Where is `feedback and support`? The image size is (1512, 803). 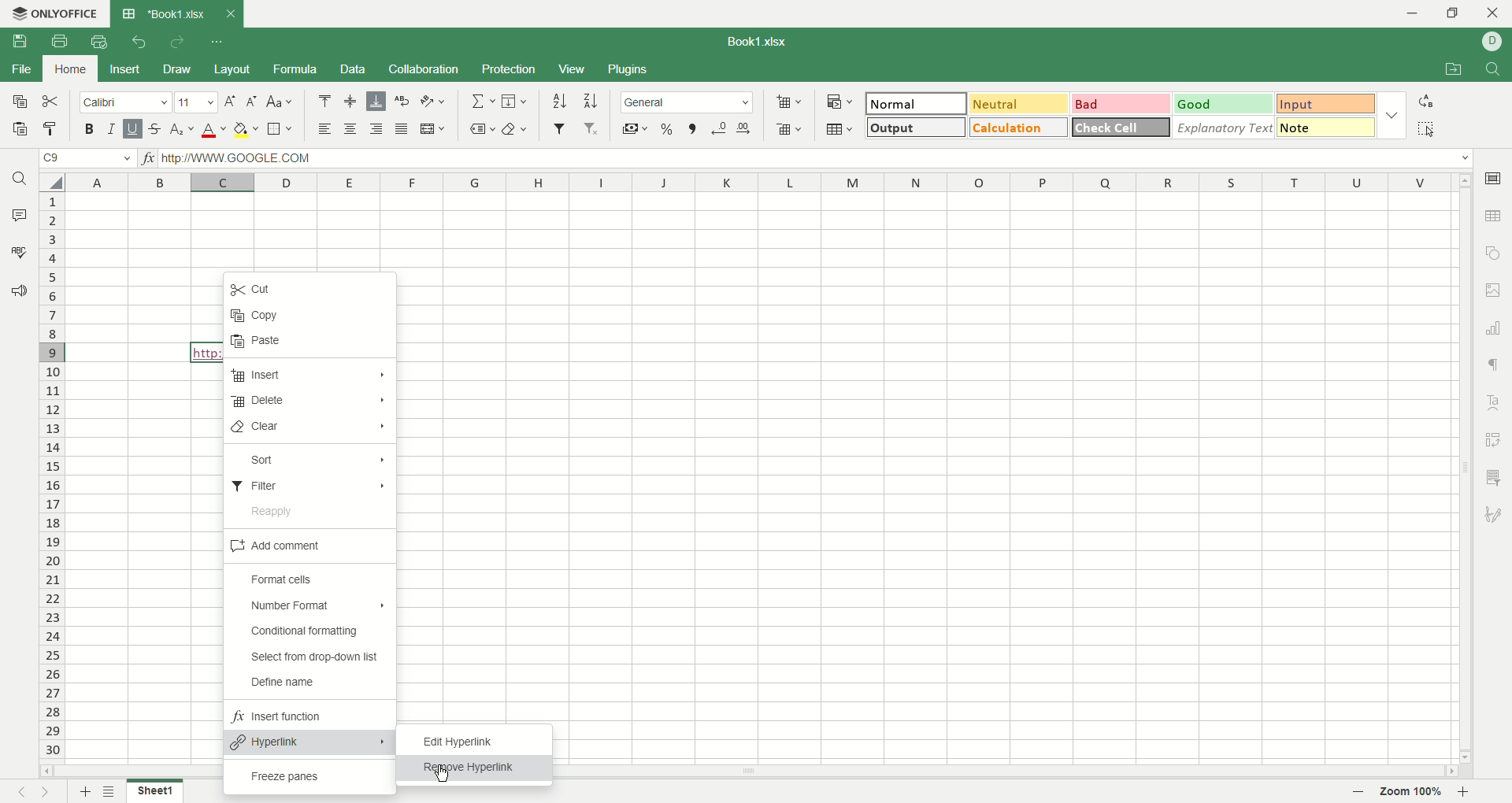
feedback and support is located at coordinates (17, 290).